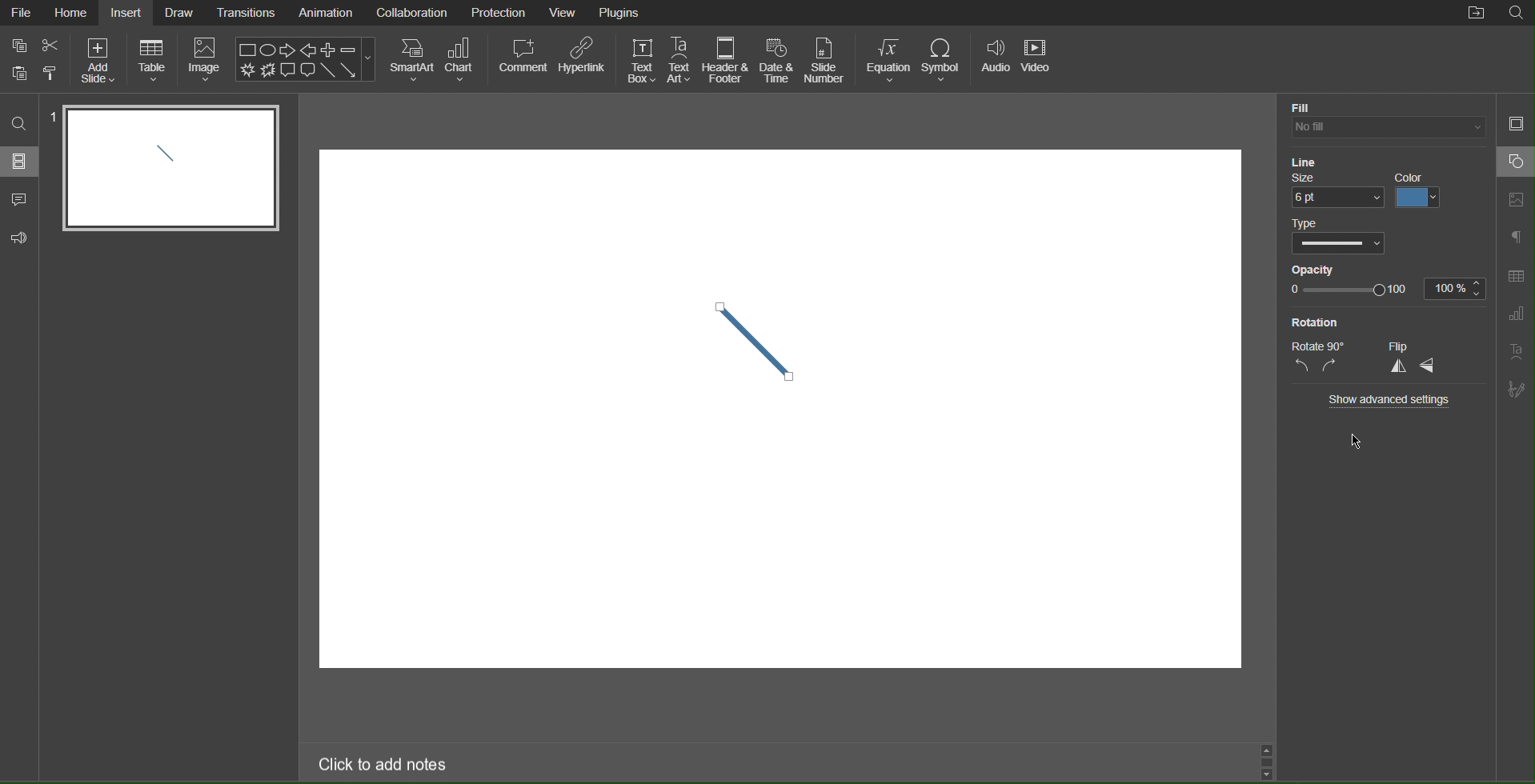  I want to click on 0.5pt, so click(1337, 199).